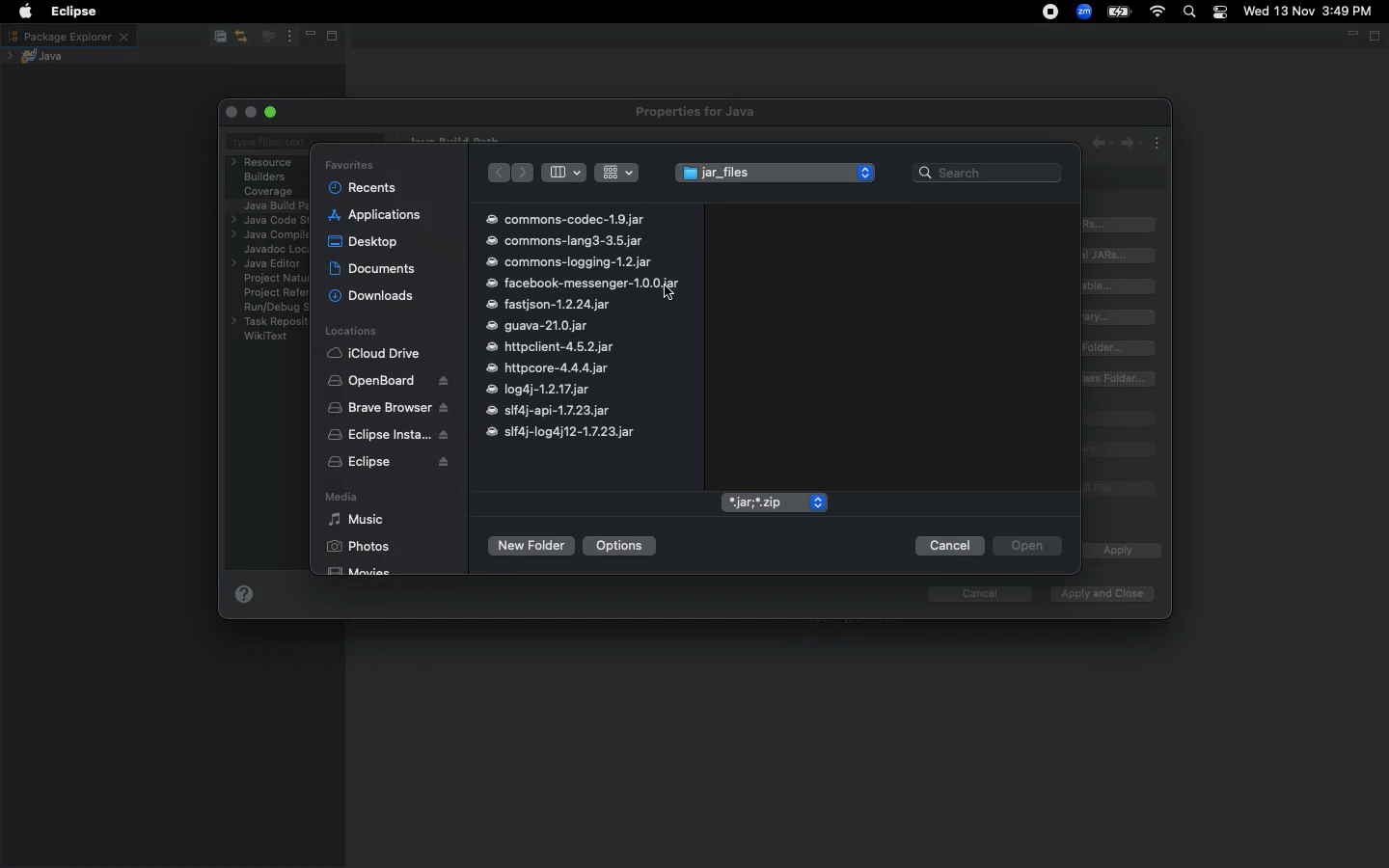  Describe the element at coordinates (274, 292) in the screenshot. I see `Project references ` at that location.